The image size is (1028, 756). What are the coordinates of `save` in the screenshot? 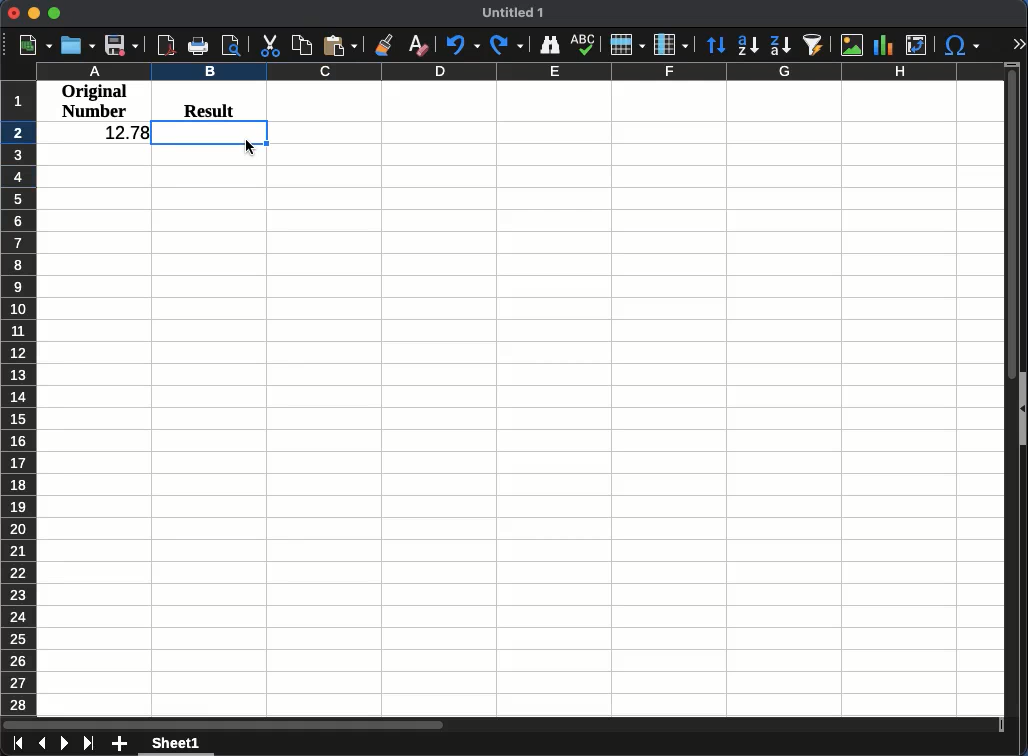 It's located at (121, 45).